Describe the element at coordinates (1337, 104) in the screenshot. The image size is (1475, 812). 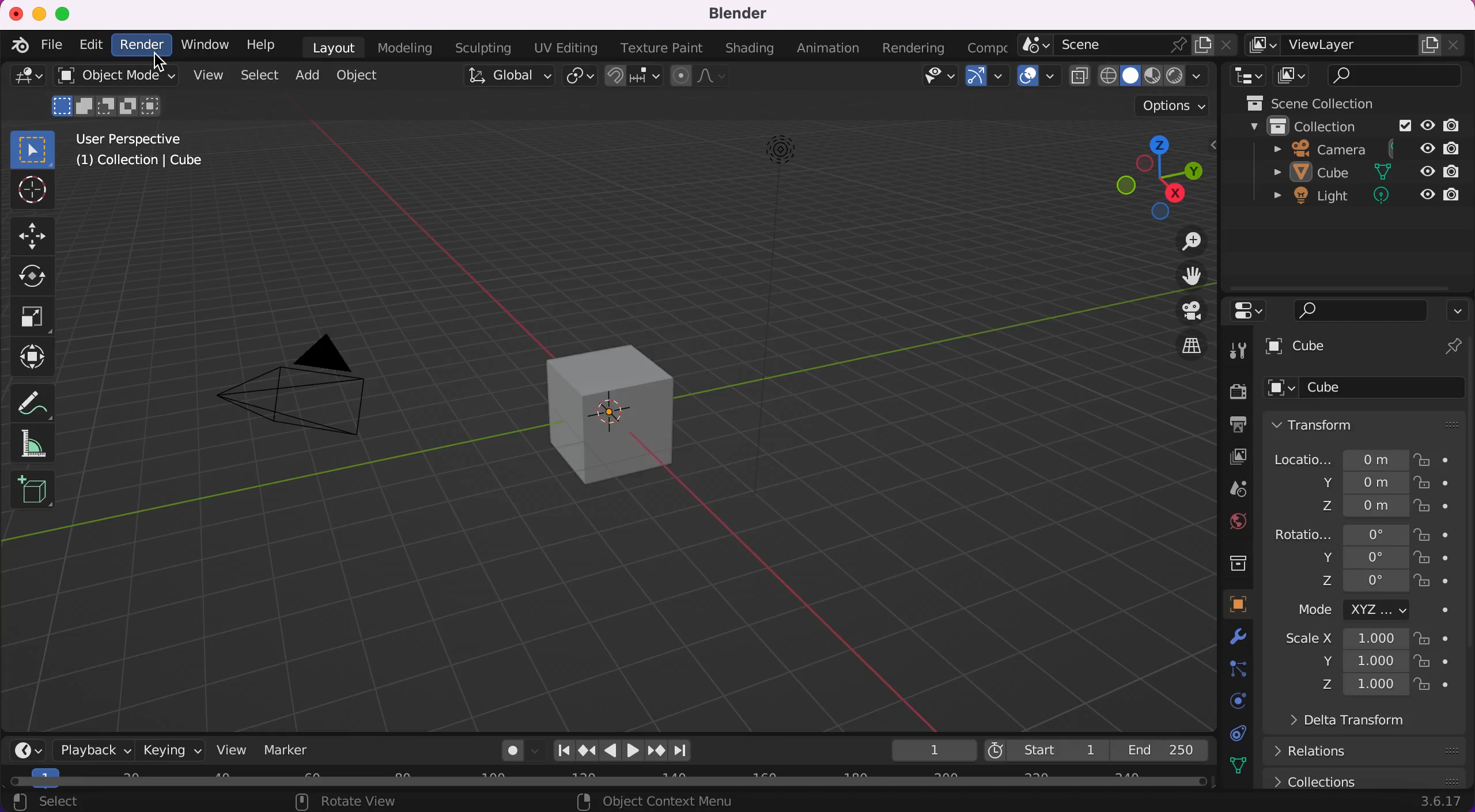
I see `scene collection` at that location.